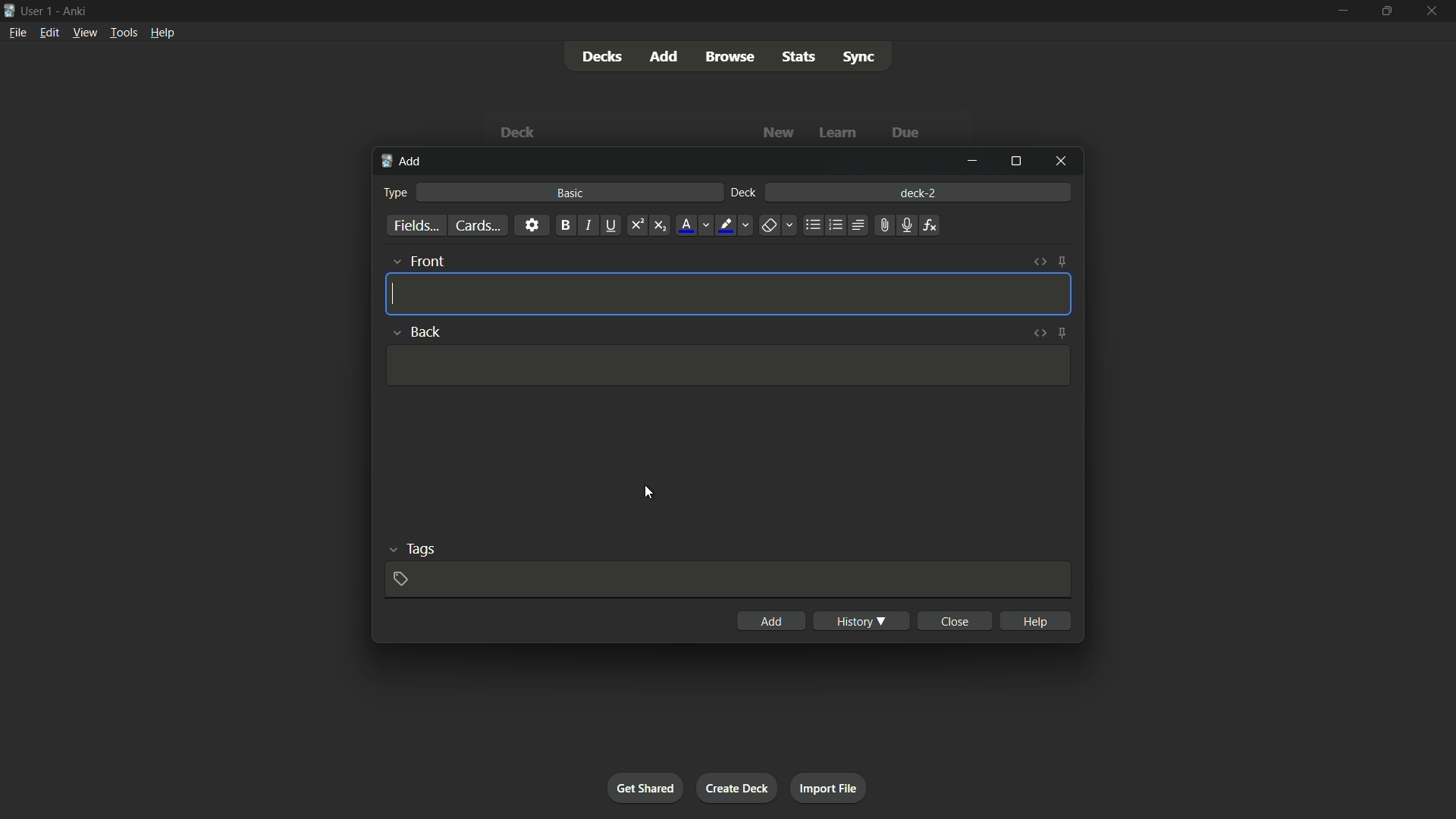  I want to click on minimize, so click(976, 162).